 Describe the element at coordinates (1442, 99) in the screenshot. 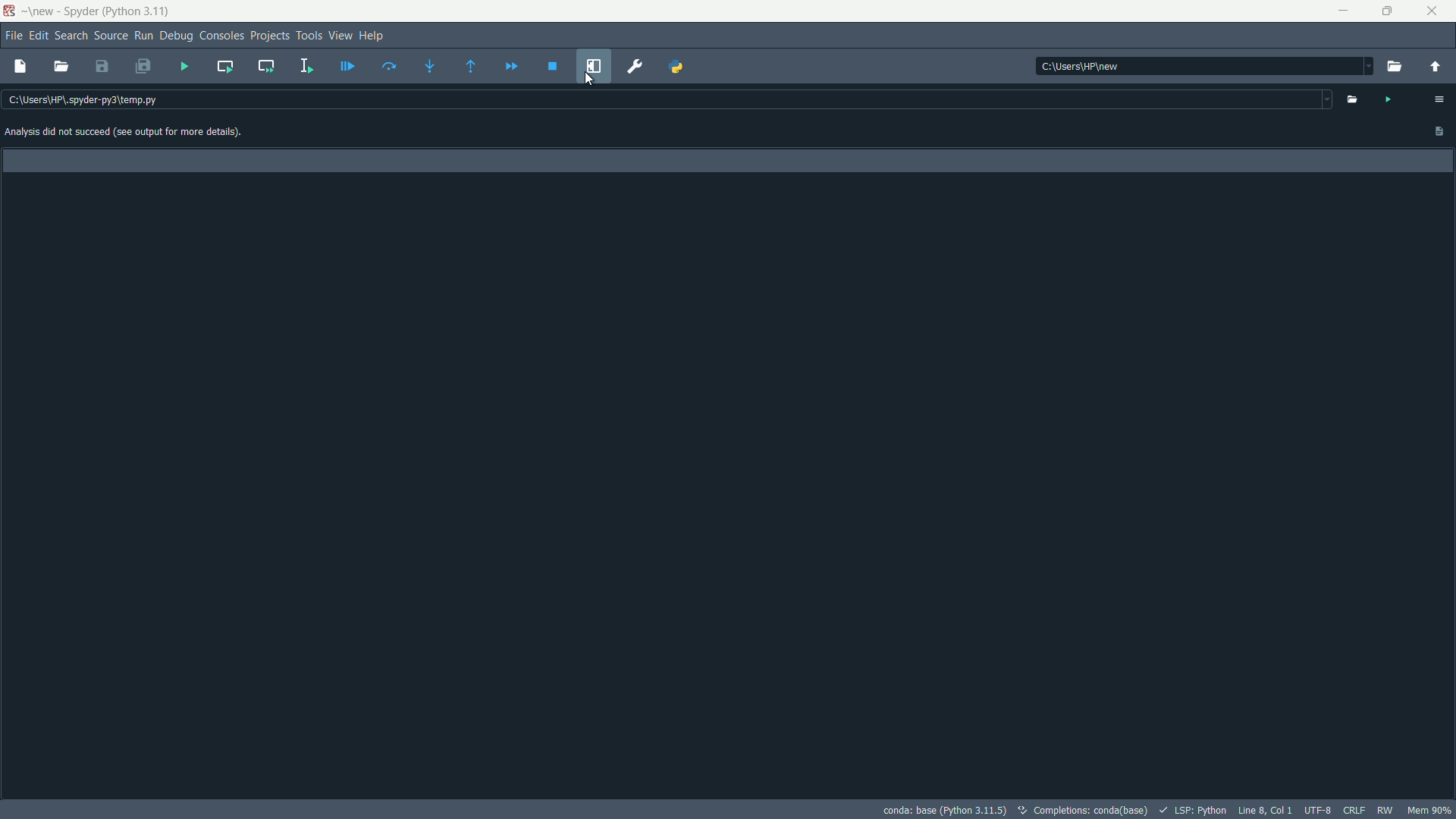

I see ` options` at that location.